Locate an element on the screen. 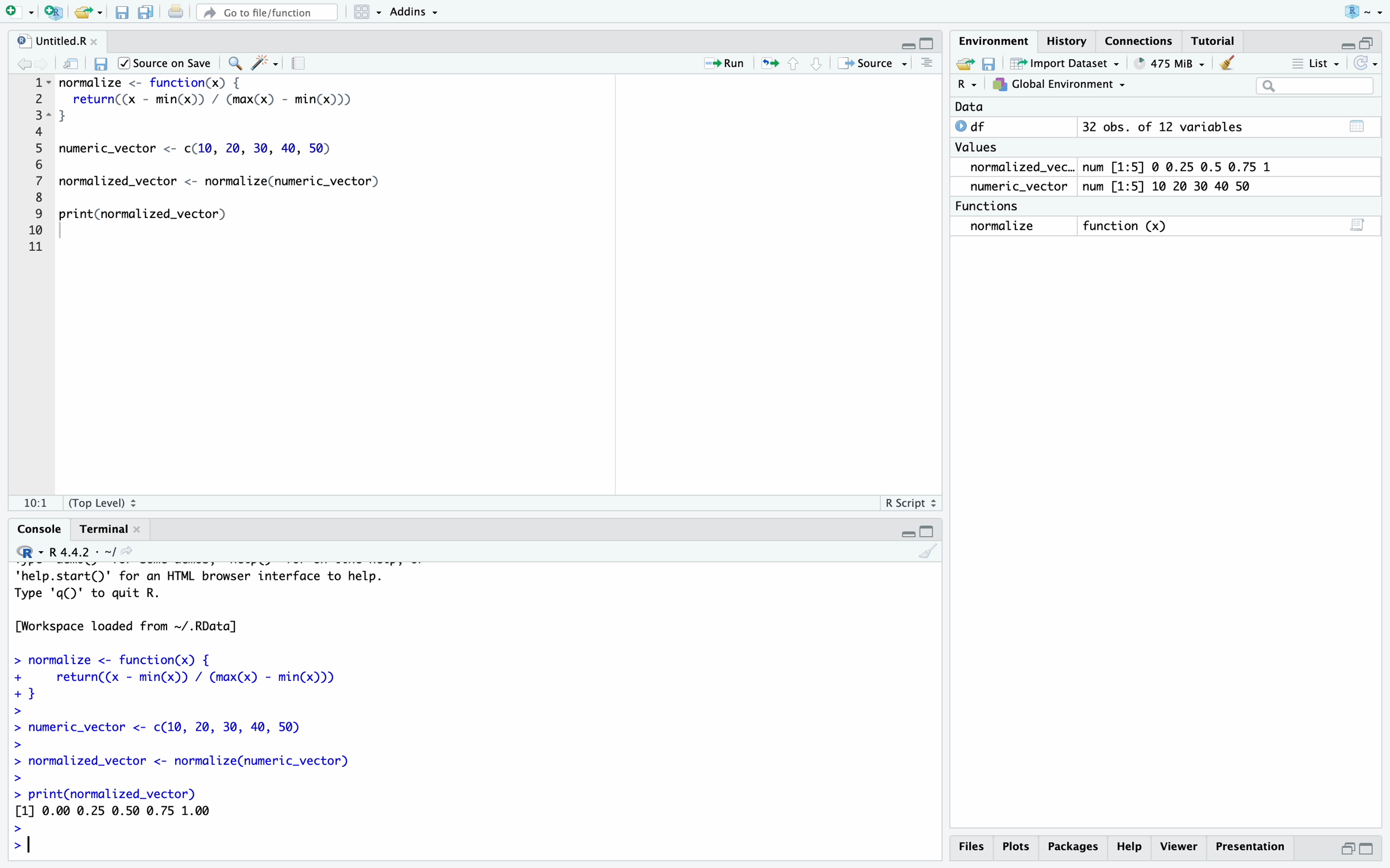  R script is located at coordinates (908, 504).